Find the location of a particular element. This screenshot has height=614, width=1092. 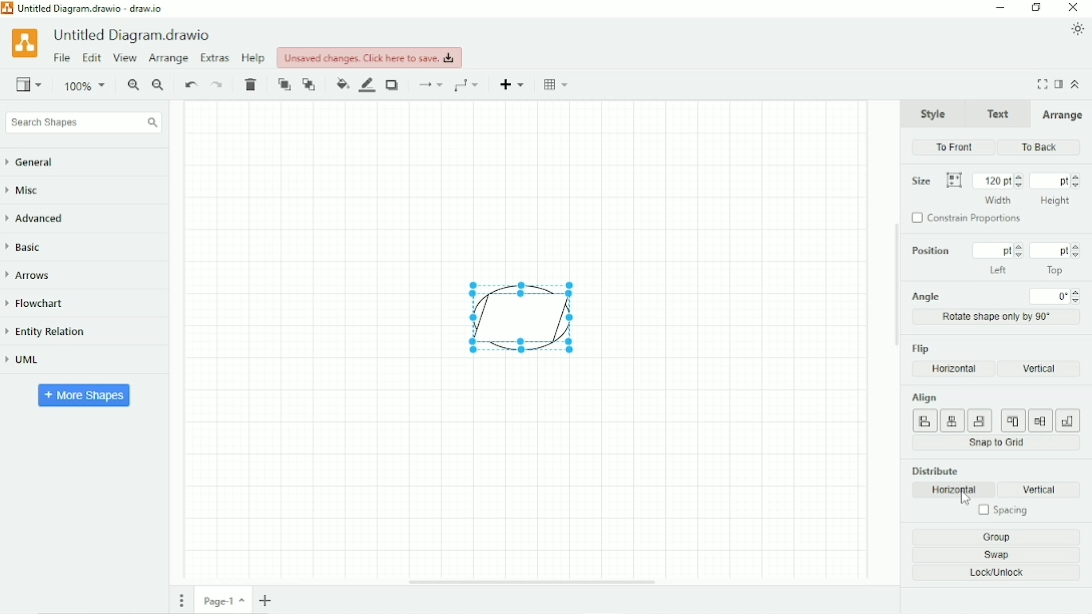

Current page is located at coordinates (224, 600).